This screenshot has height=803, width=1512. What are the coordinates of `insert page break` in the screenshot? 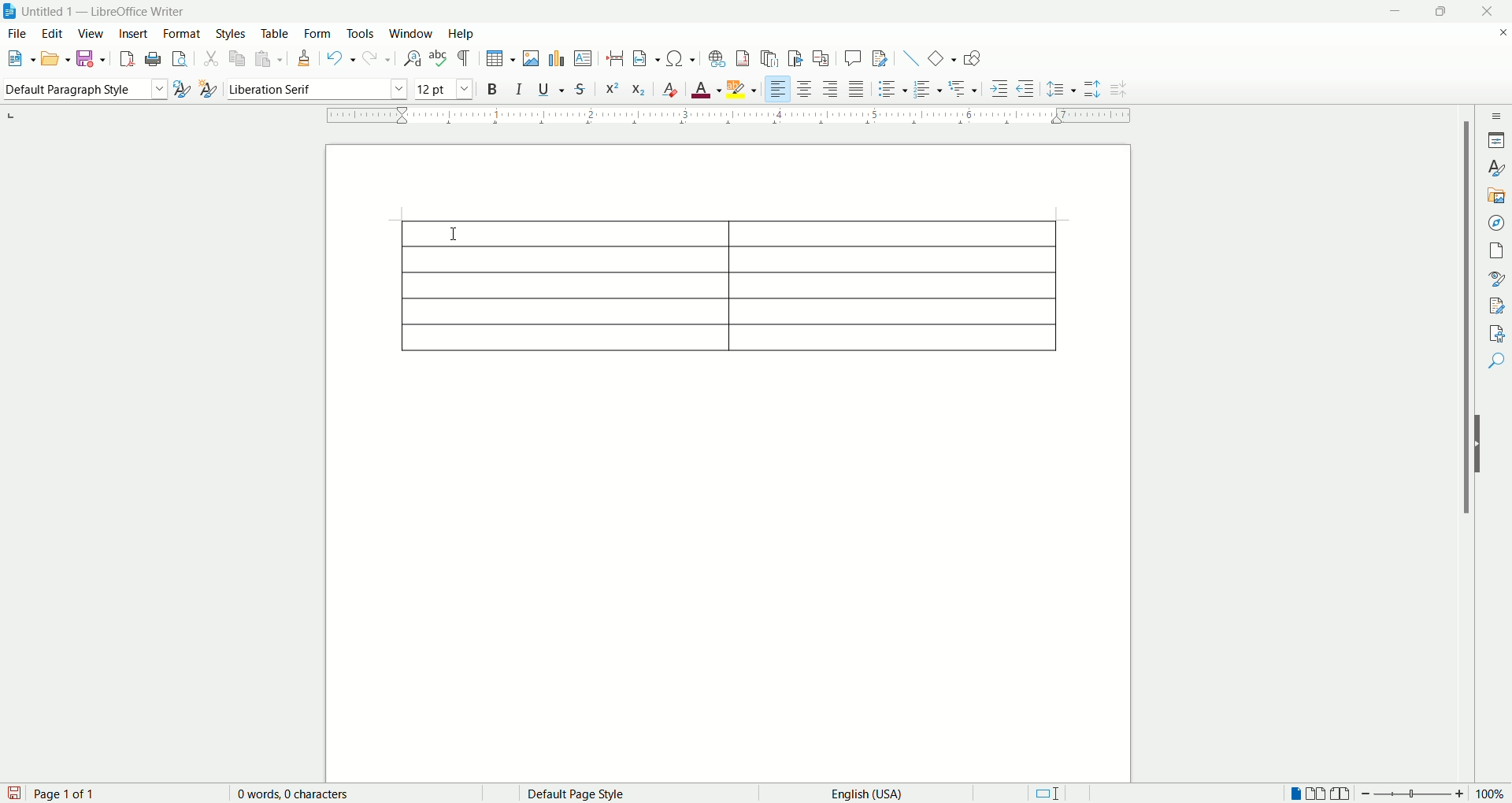 It's located at (619, 57).